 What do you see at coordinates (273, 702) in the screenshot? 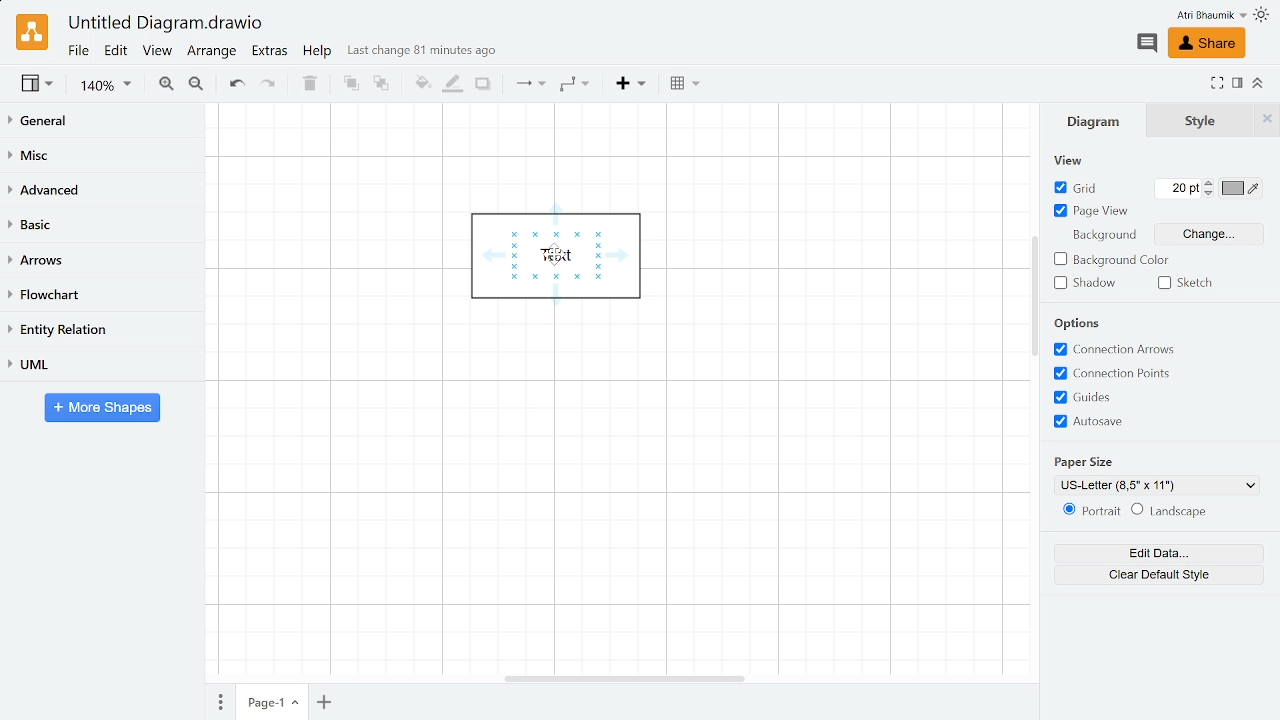
I see `Current page` at bounding box center [273, 702].